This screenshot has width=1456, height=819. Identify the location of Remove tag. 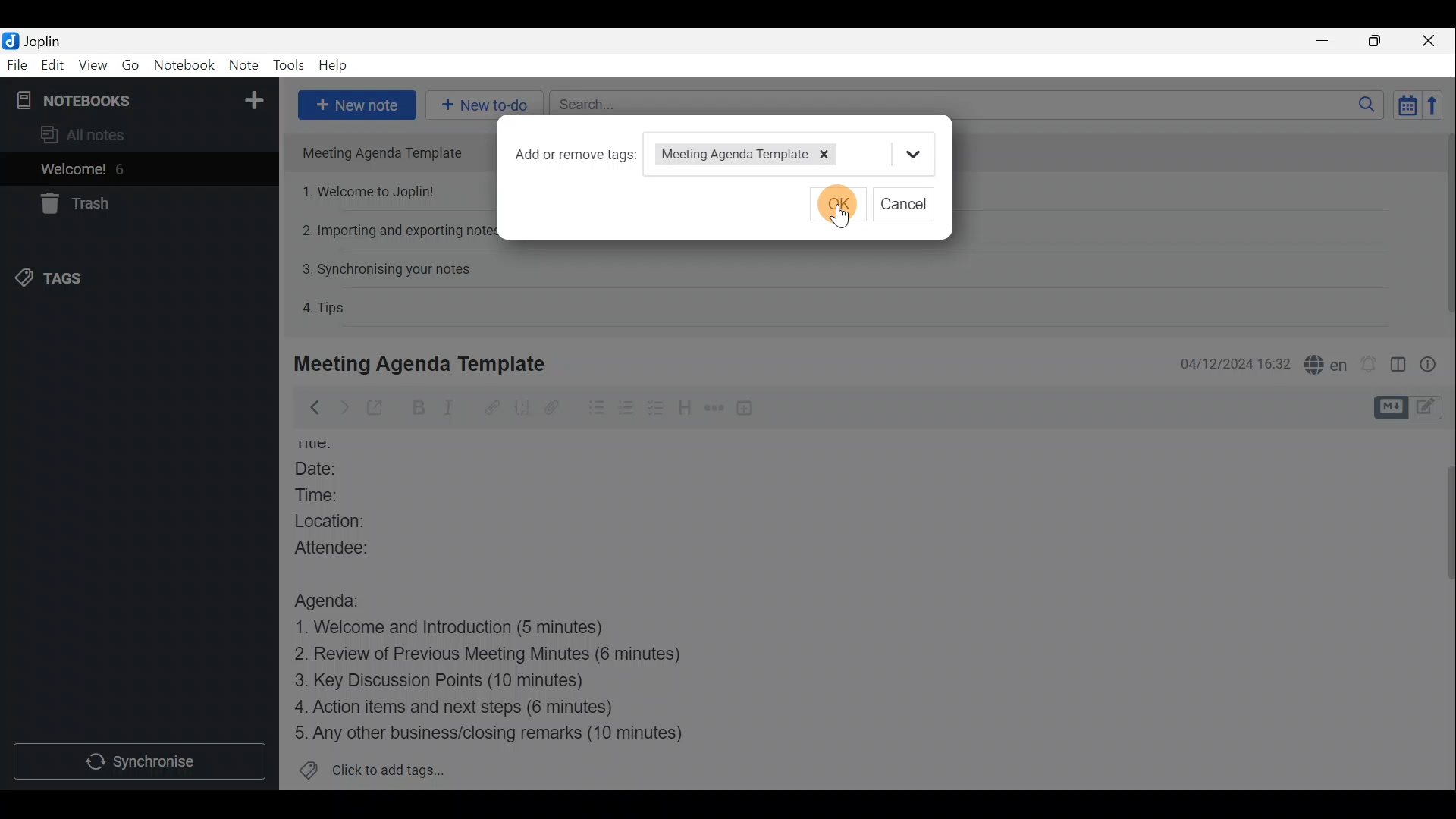
(826, 155).